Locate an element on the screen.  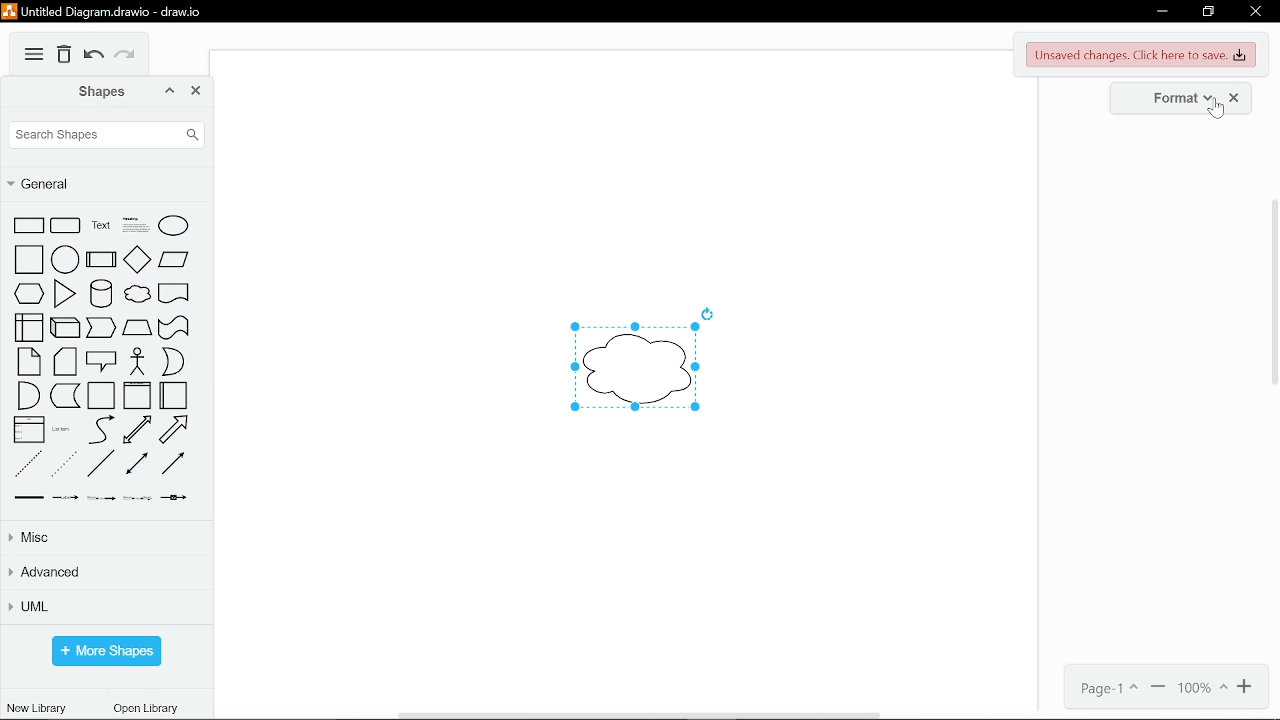
or is located at coordinates (173, 362).